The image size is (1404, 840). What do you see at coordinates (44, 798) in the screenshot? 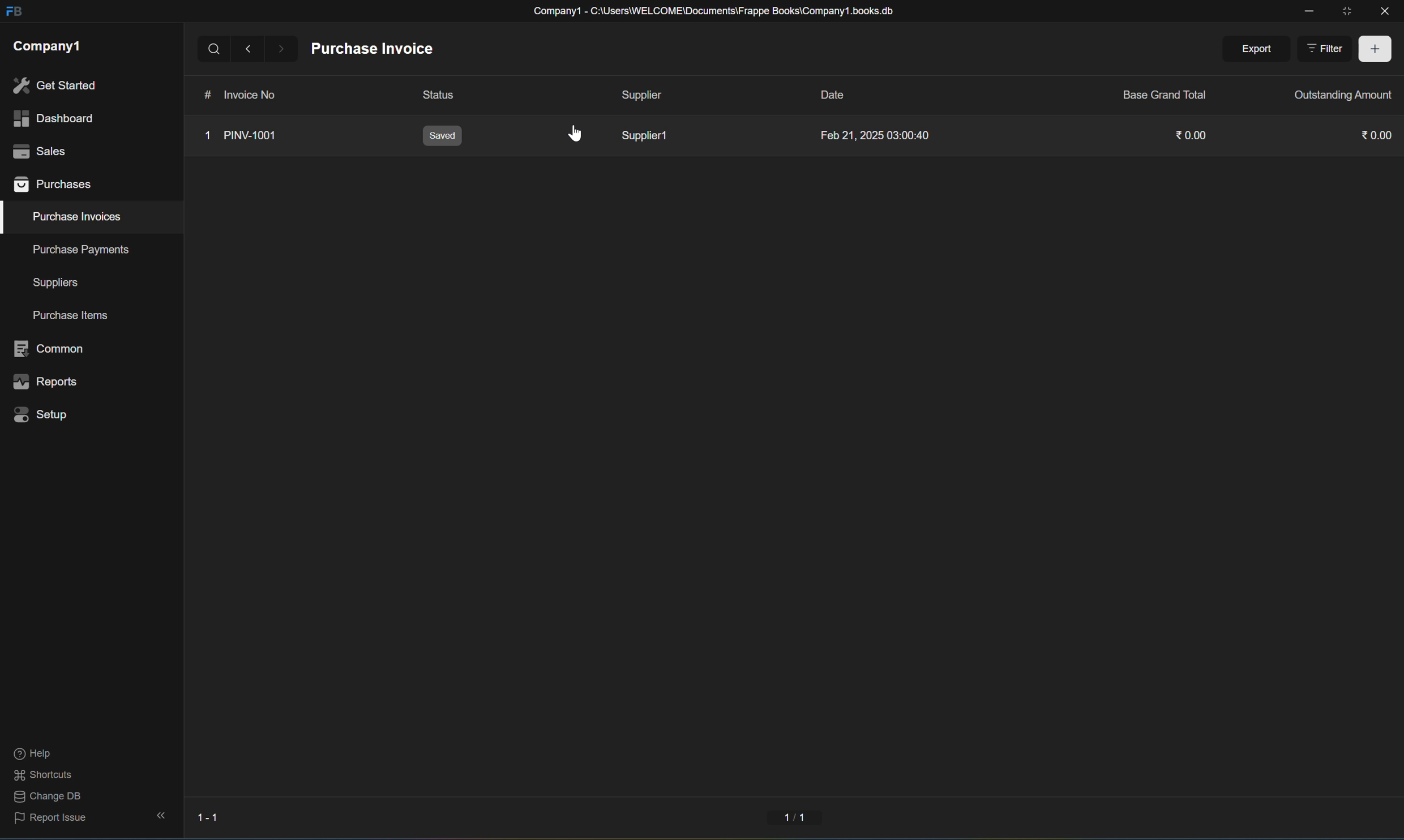
I see `change DB` at bounding box center [44, 798].